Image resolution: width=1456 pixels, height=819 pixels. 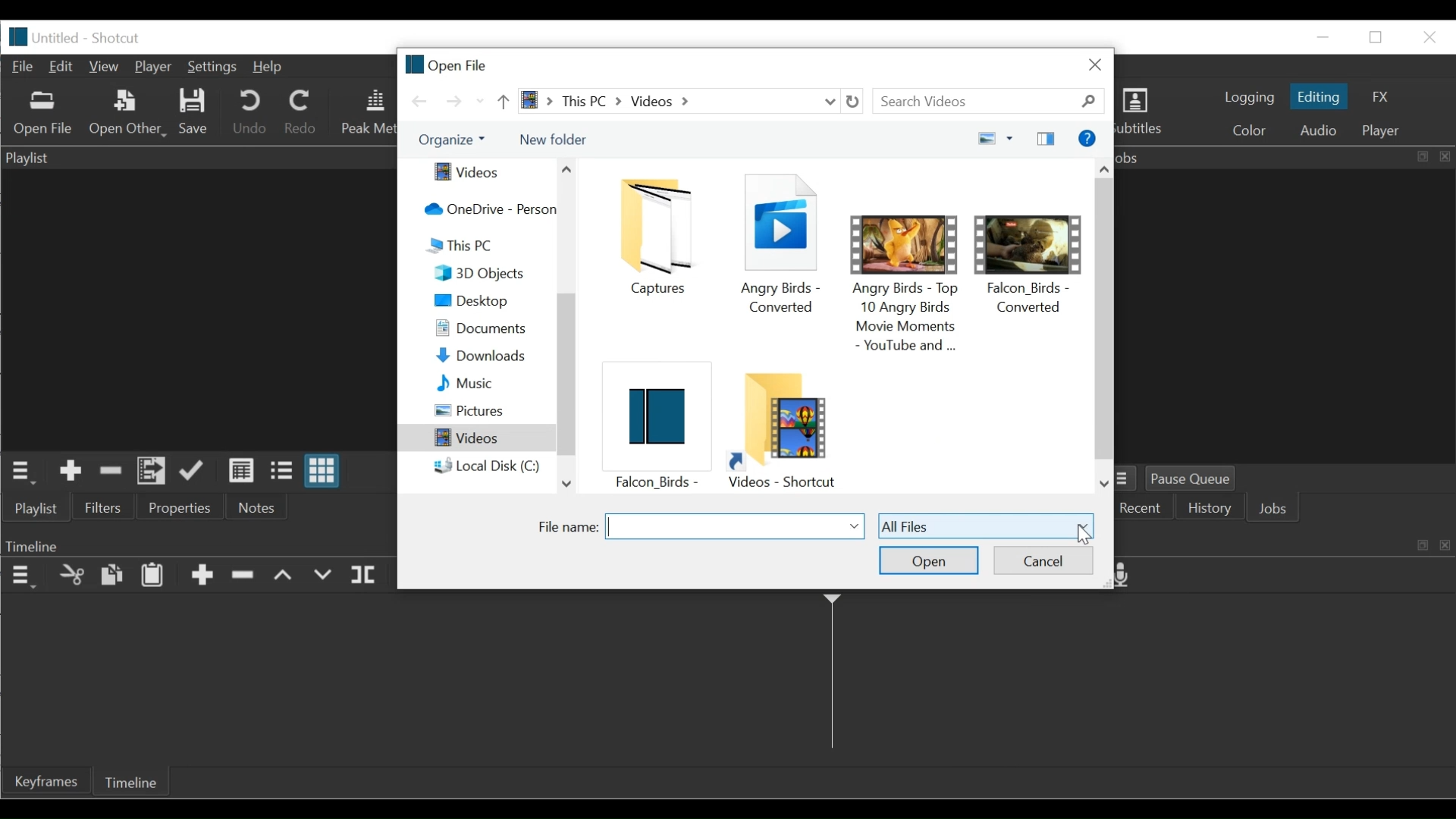 I want to click on lift, so click(x=284, y=576).